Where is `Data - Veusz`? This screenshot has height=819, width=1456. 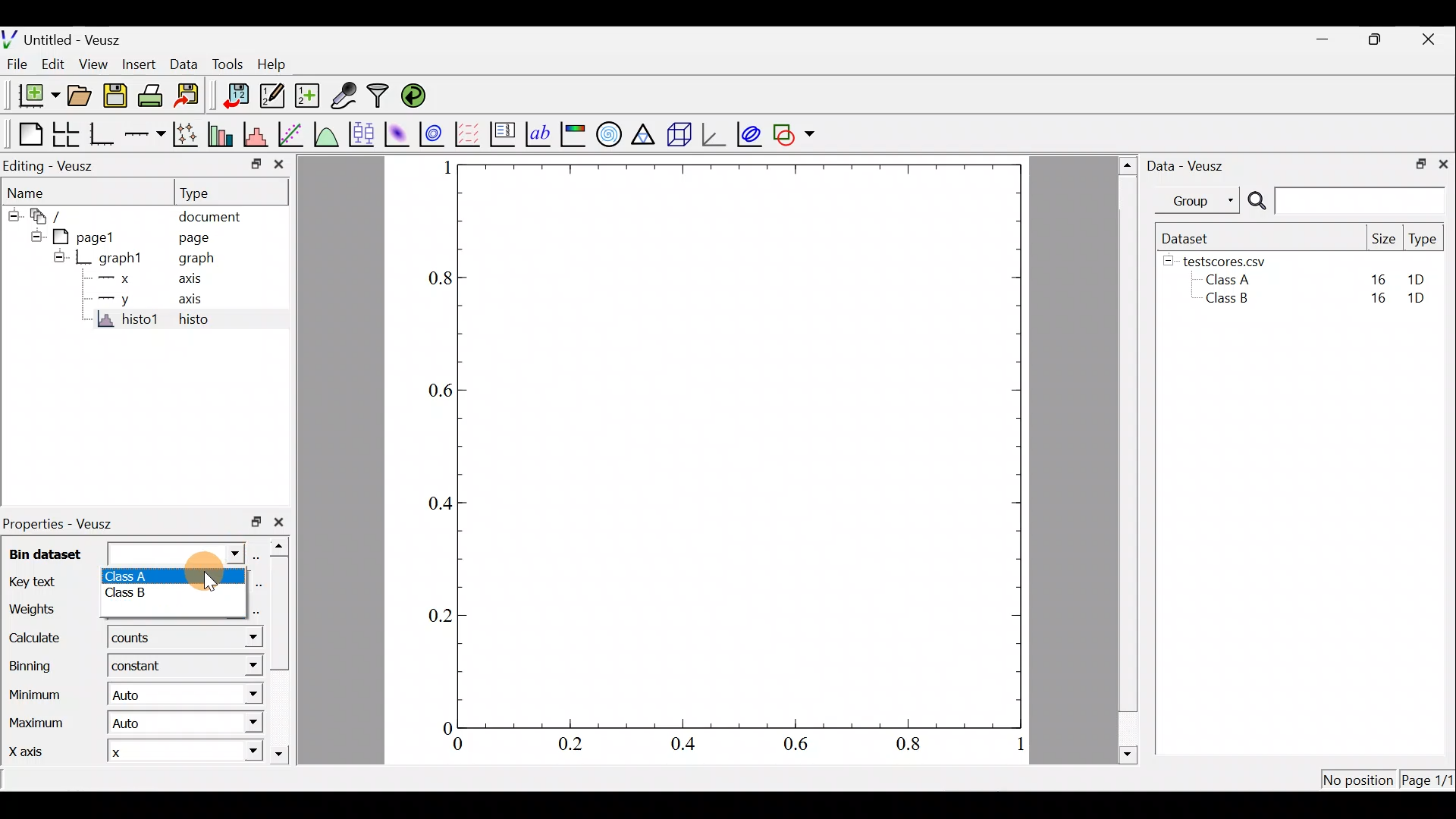 Data - Veusz is located at coordinates (1194, 165).